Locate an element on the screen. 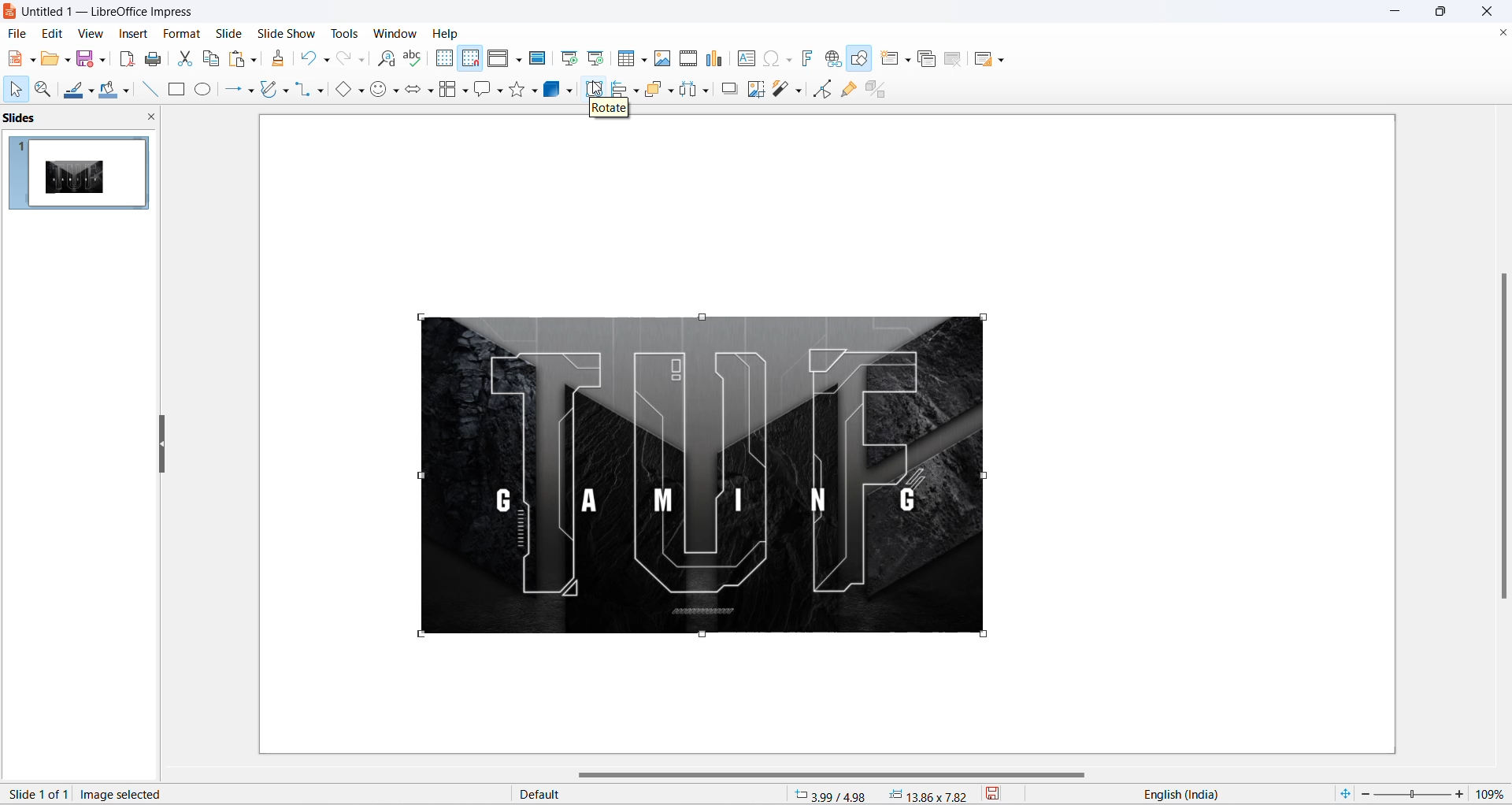 This screenshot has width=1512, height=805. hover text is located at coordinates (609, 106).